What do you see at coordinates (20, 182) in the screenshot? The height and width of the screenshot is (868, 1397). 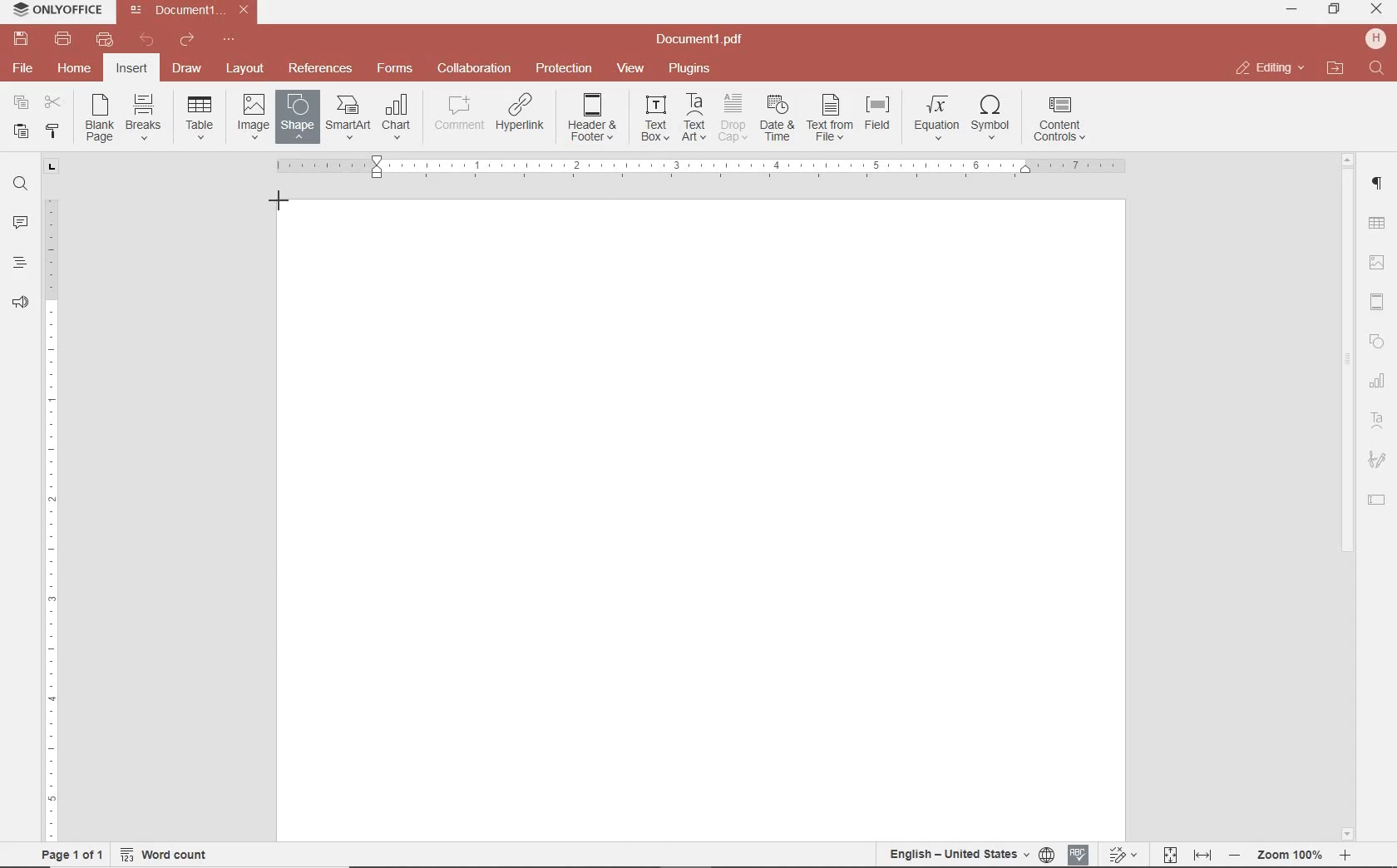 I see `find` at bounding box center [20, 182].